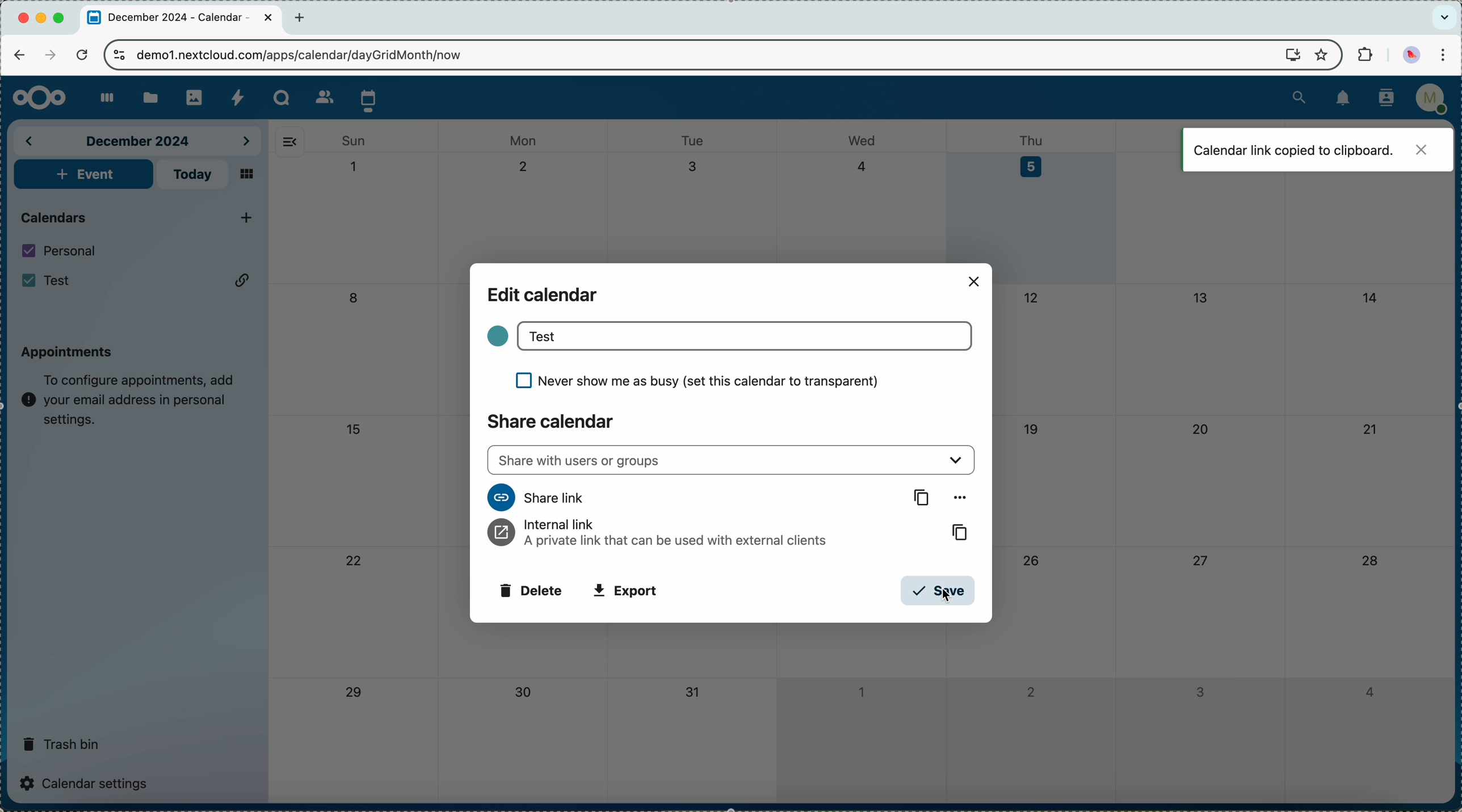 This screenshot has height=812, width=1462. What do you see at coordinates (1036, 139) in the screenshot?
I see `thu` at bounding box center [1036, 139].